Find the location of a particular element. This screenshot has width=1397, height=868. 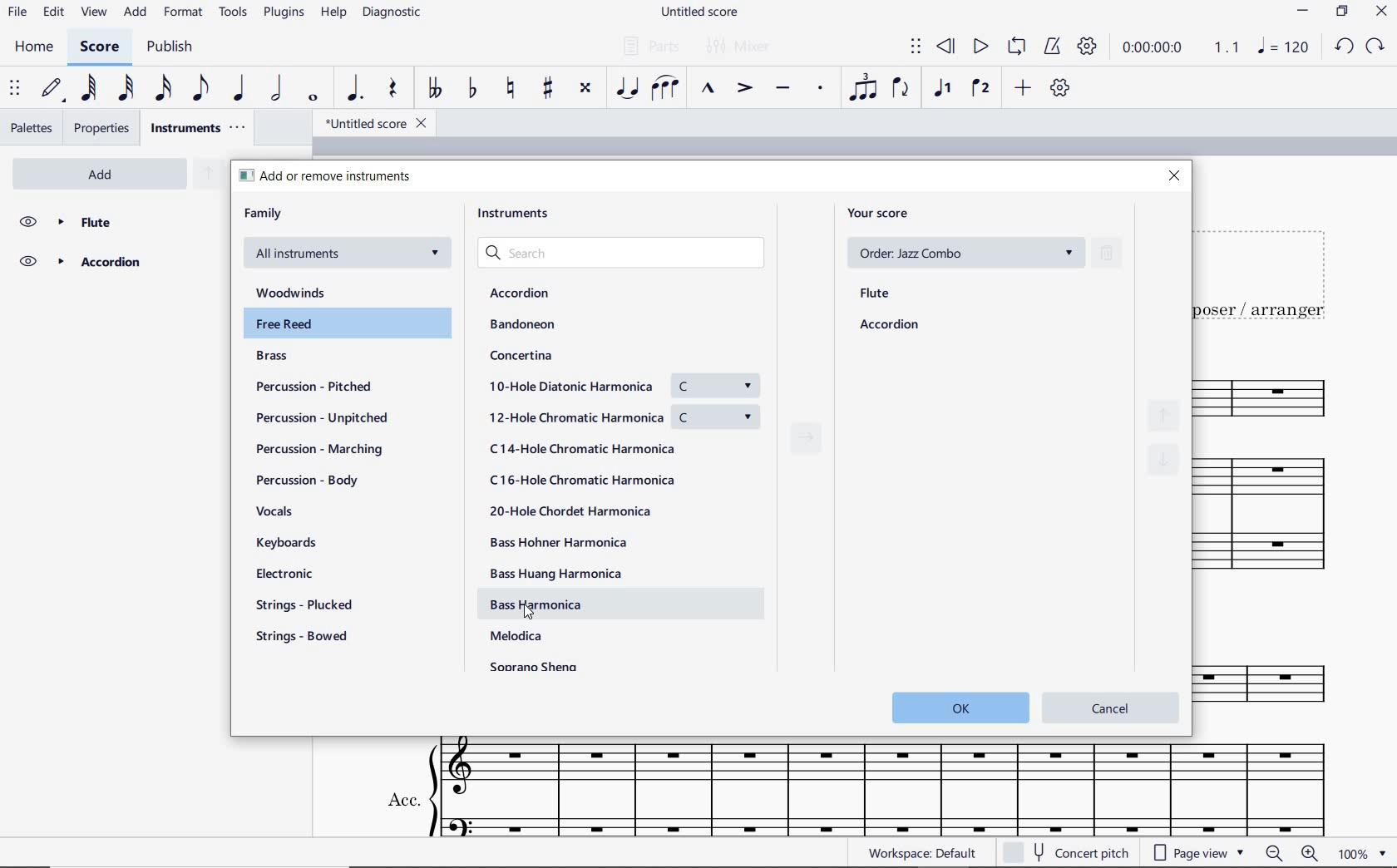

strings - plucked is located at coordinates (304, 606).